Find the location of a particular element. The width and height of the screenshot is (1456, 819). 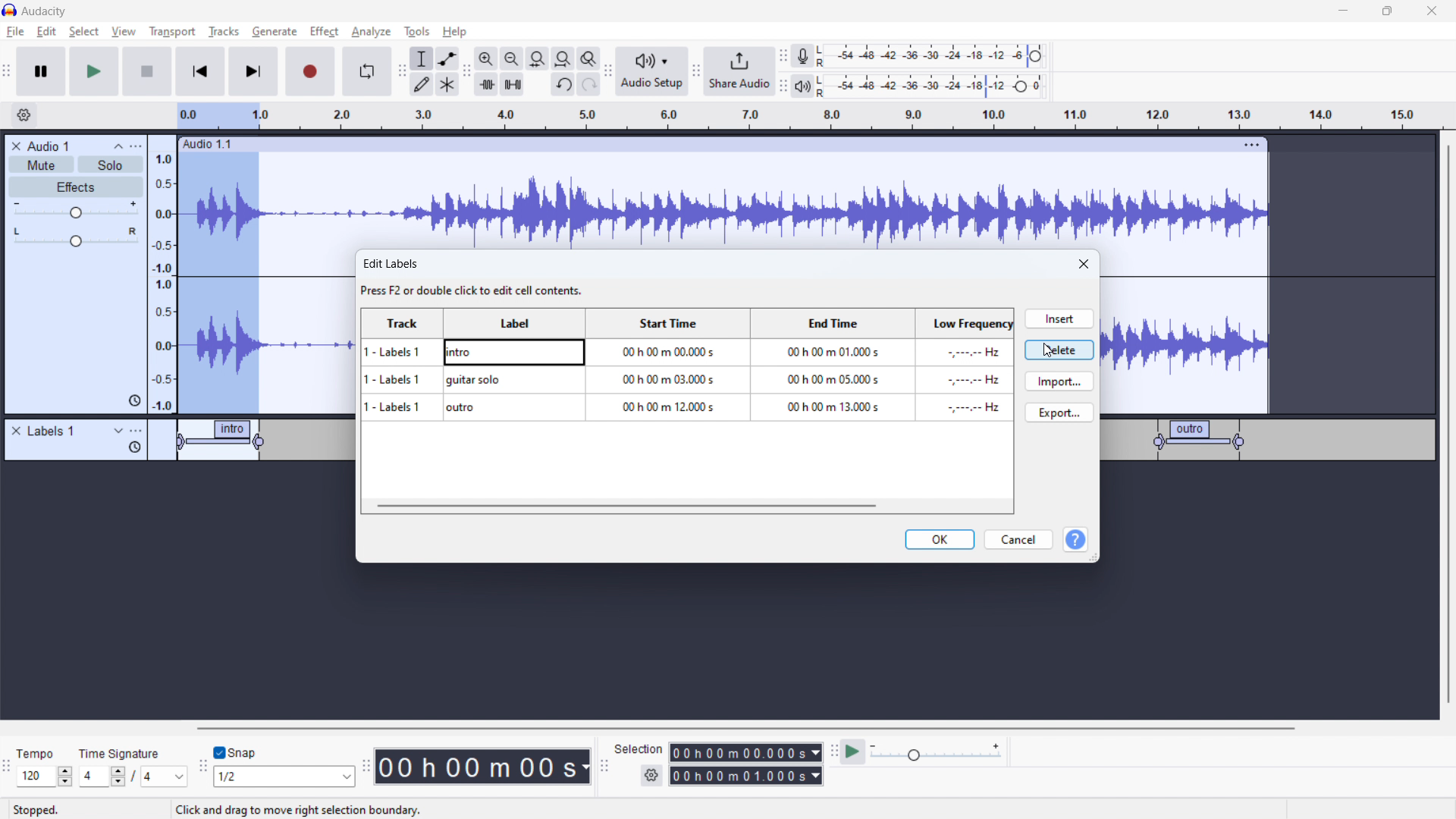

toggle zoom is located at coordinates (588, 58).